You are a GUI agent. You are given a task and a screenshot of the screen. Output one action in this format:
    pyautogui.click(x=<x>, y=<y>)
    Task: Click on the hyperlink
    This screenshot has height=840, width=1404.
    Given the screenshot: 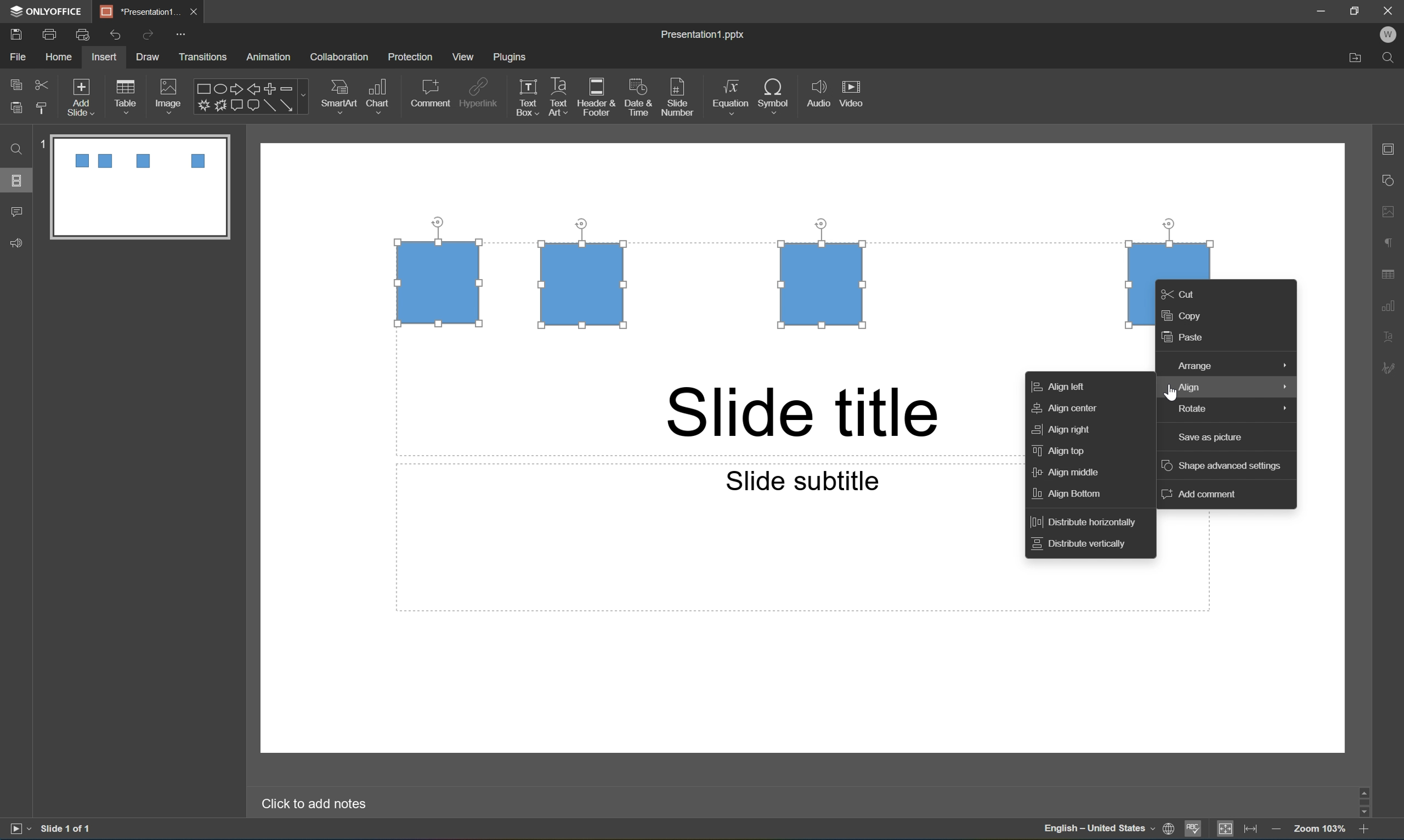 What is the action you would take?
    pyautogui.click(x=480, y=91)
    